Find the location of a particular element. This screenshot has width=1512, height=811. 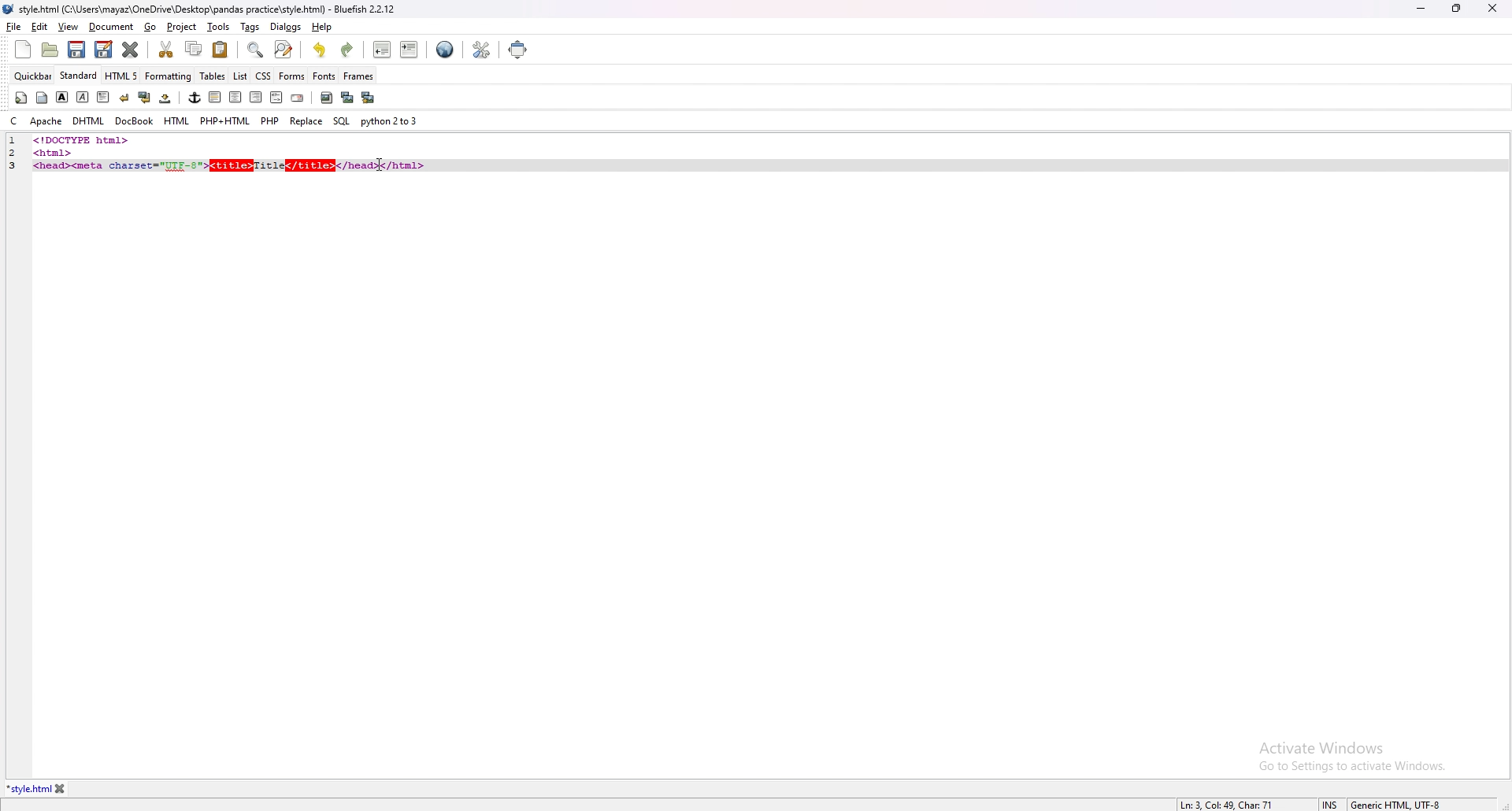

python 2to3 is located at coordinates (391, 121).